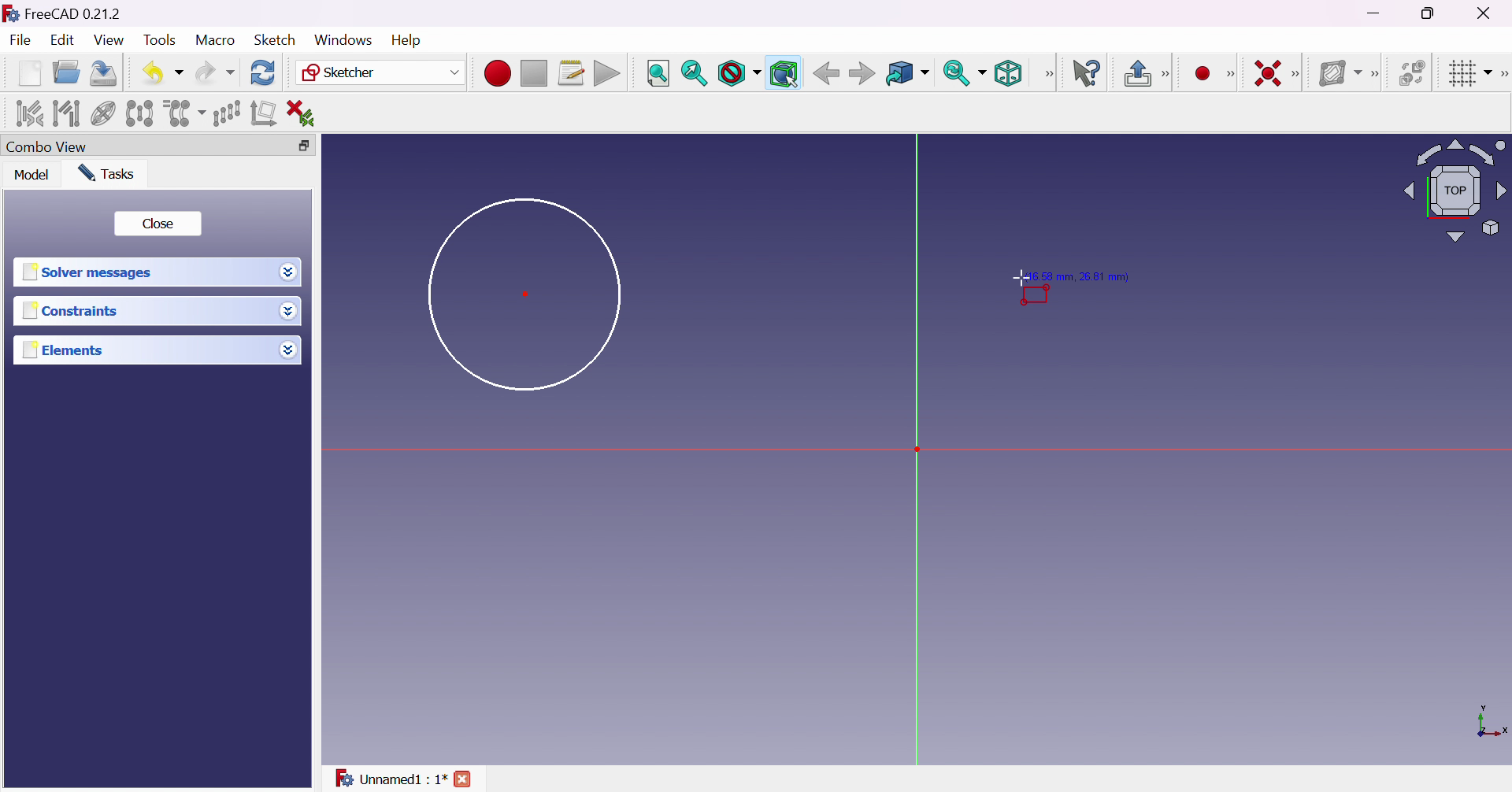 This screenshot has width=1512, height=792. What do you see at coordinates (1203, 74) in the screenshot?
I see `Create point` at bounding box center [1203, 74].